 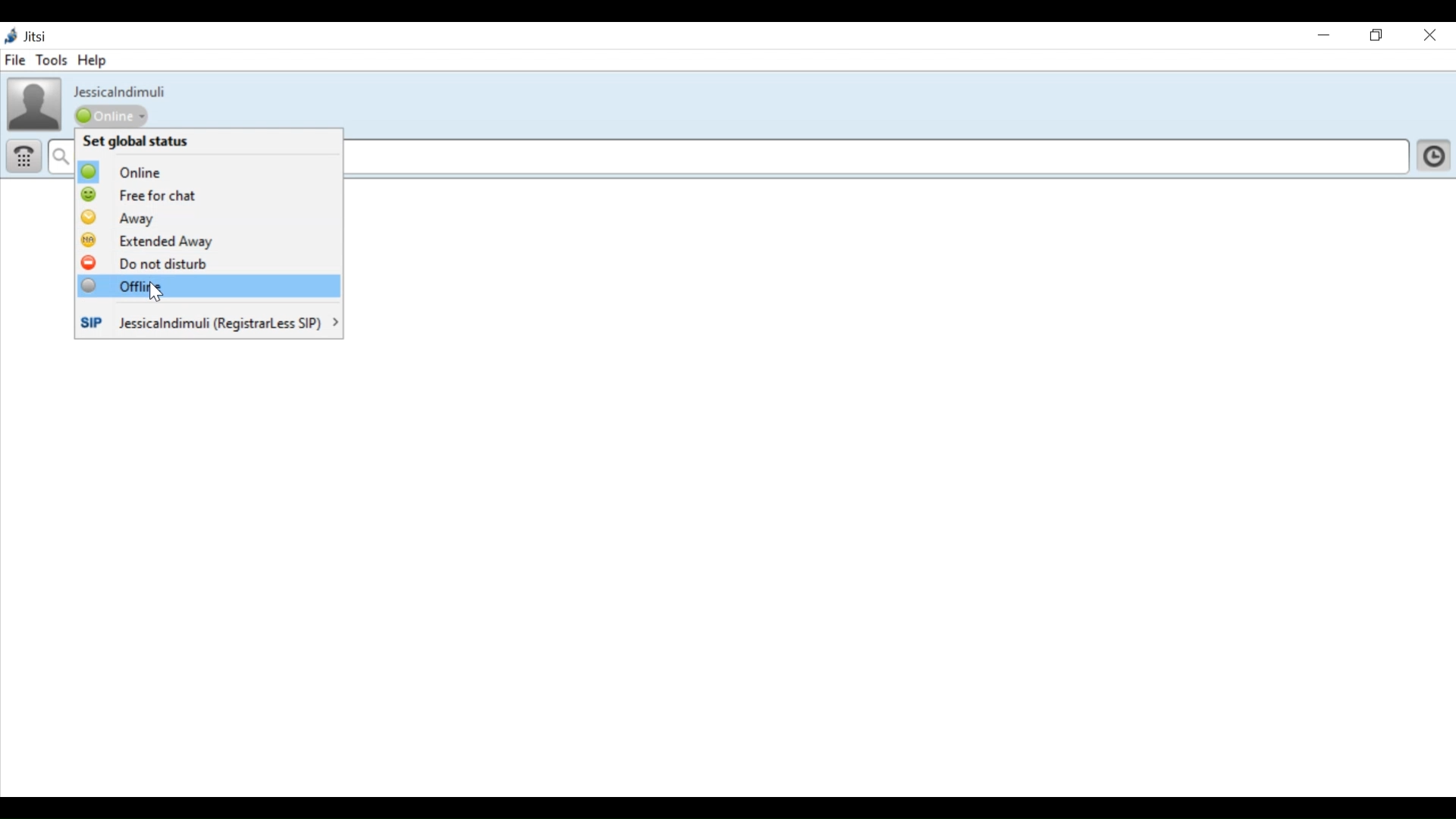 What do you see at coordinates (1432, 35) in the screenshot?
I see `Close` at bounding box center [1432, 35].